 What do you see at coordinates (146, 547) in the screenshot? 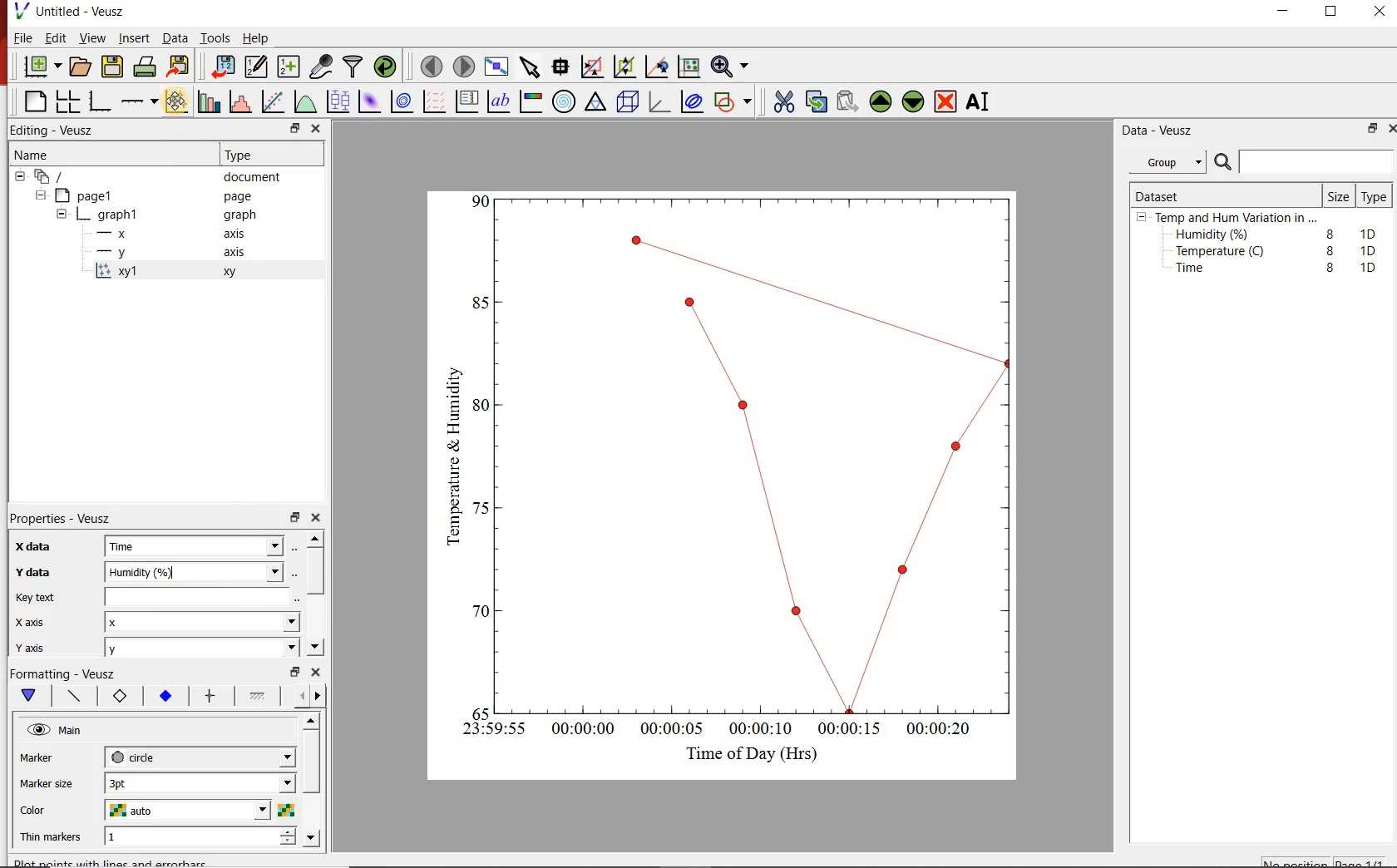
I see `Time` at bounding box center [146, 547].